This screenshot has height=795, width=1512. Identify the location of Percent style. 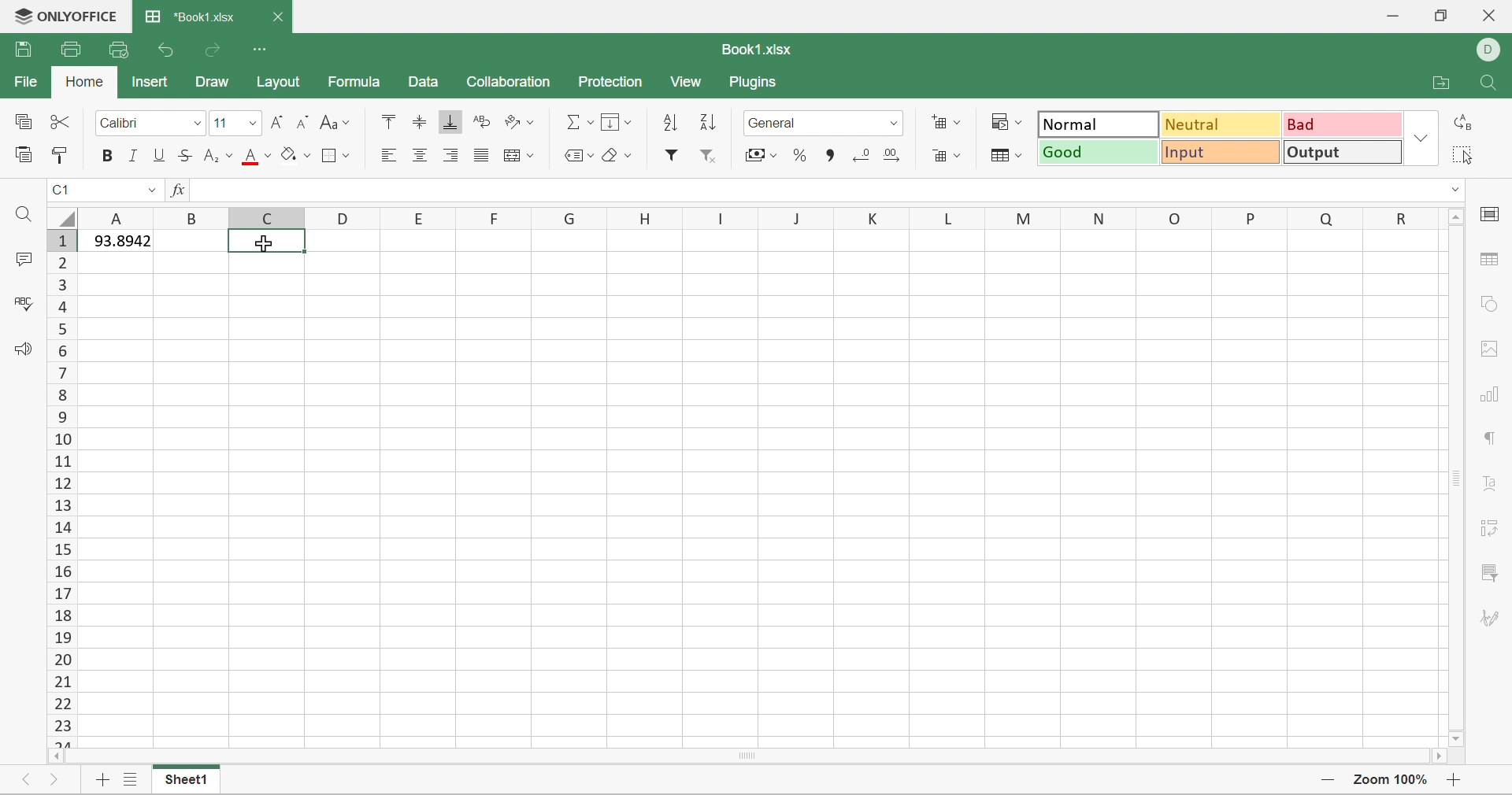
(801, 157).